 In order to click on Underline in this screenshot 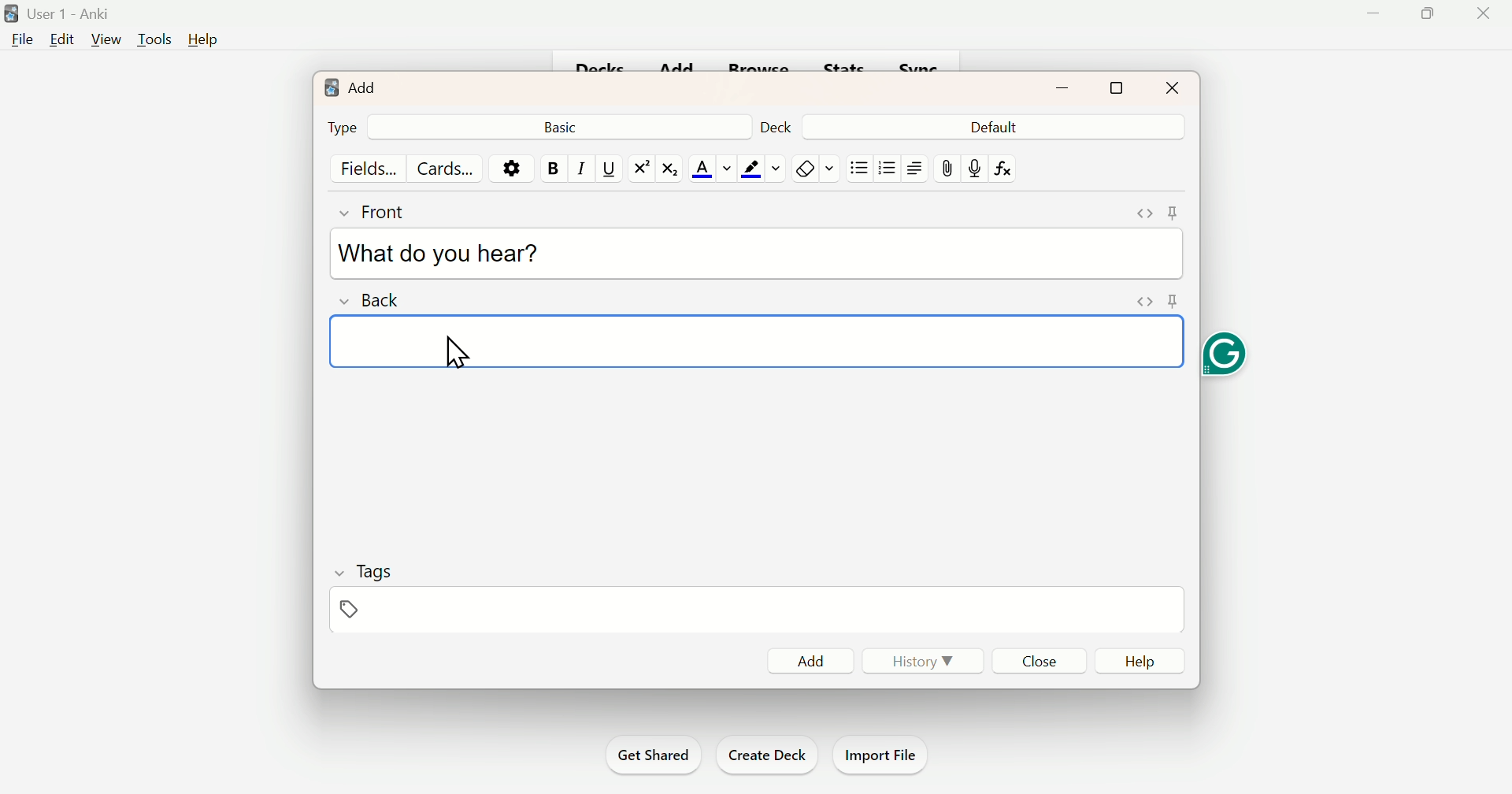, I will do `click(607, 169)`.